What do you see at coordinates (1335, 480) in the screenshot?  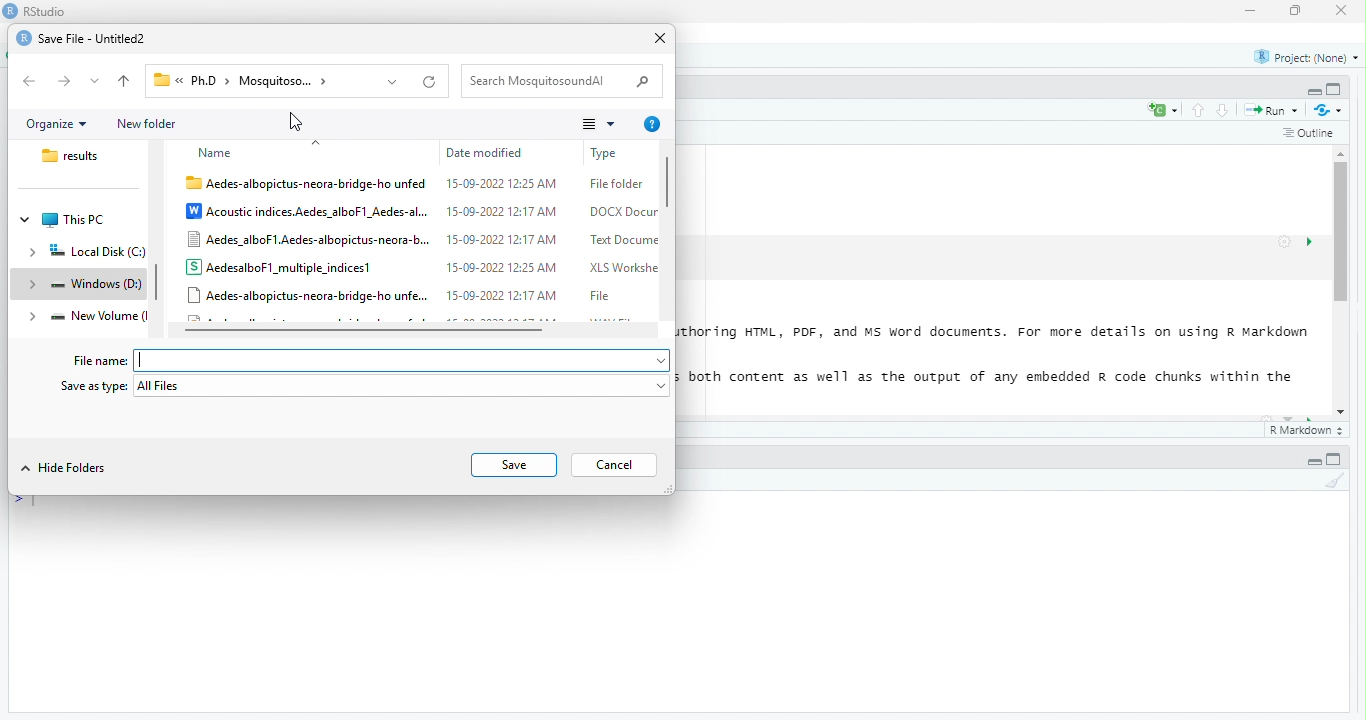 I see `clean` at bounding box center [1335, 480].